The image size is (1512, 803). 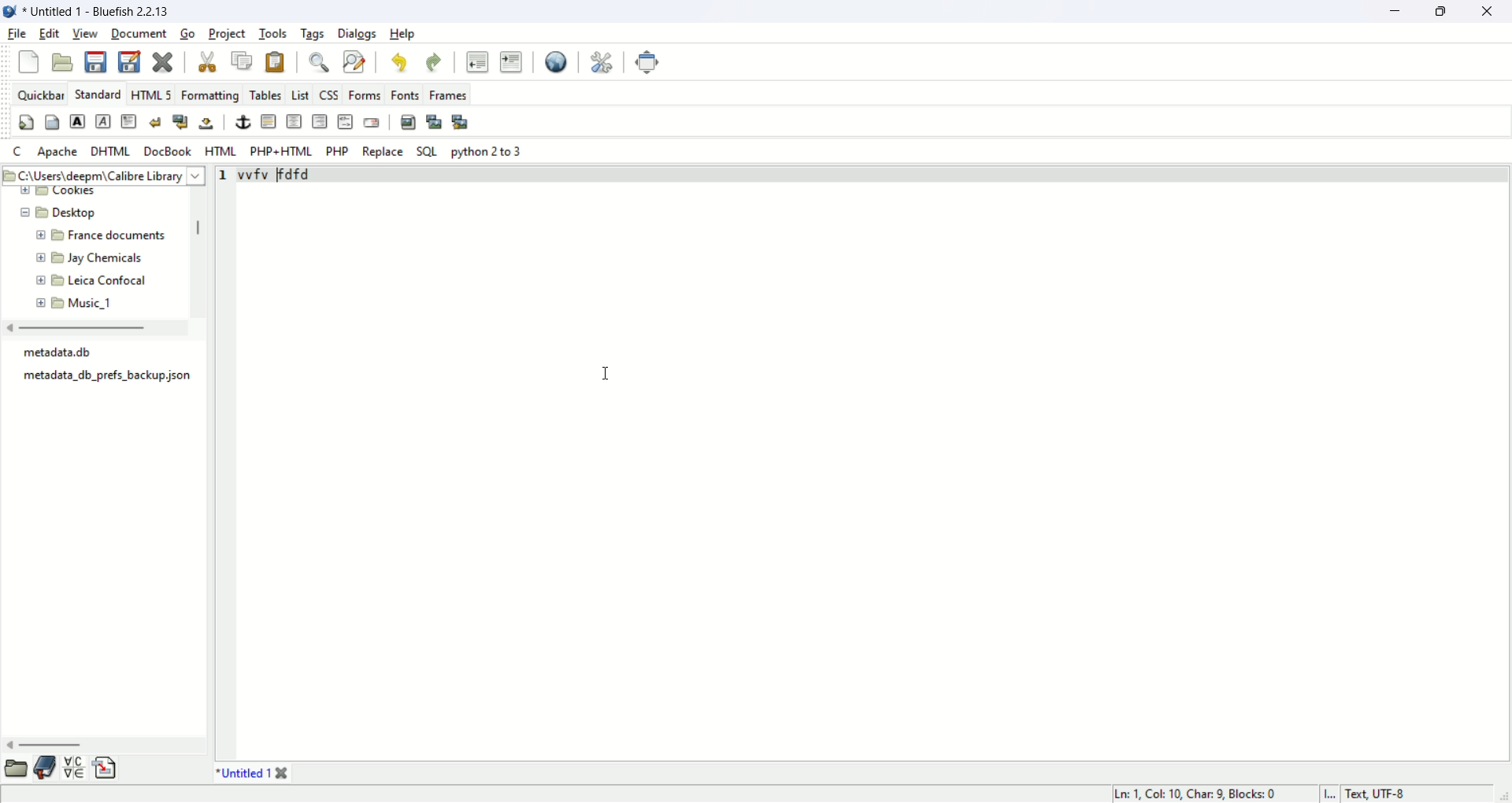 I want to click on redo, so click(x=435, y=63).